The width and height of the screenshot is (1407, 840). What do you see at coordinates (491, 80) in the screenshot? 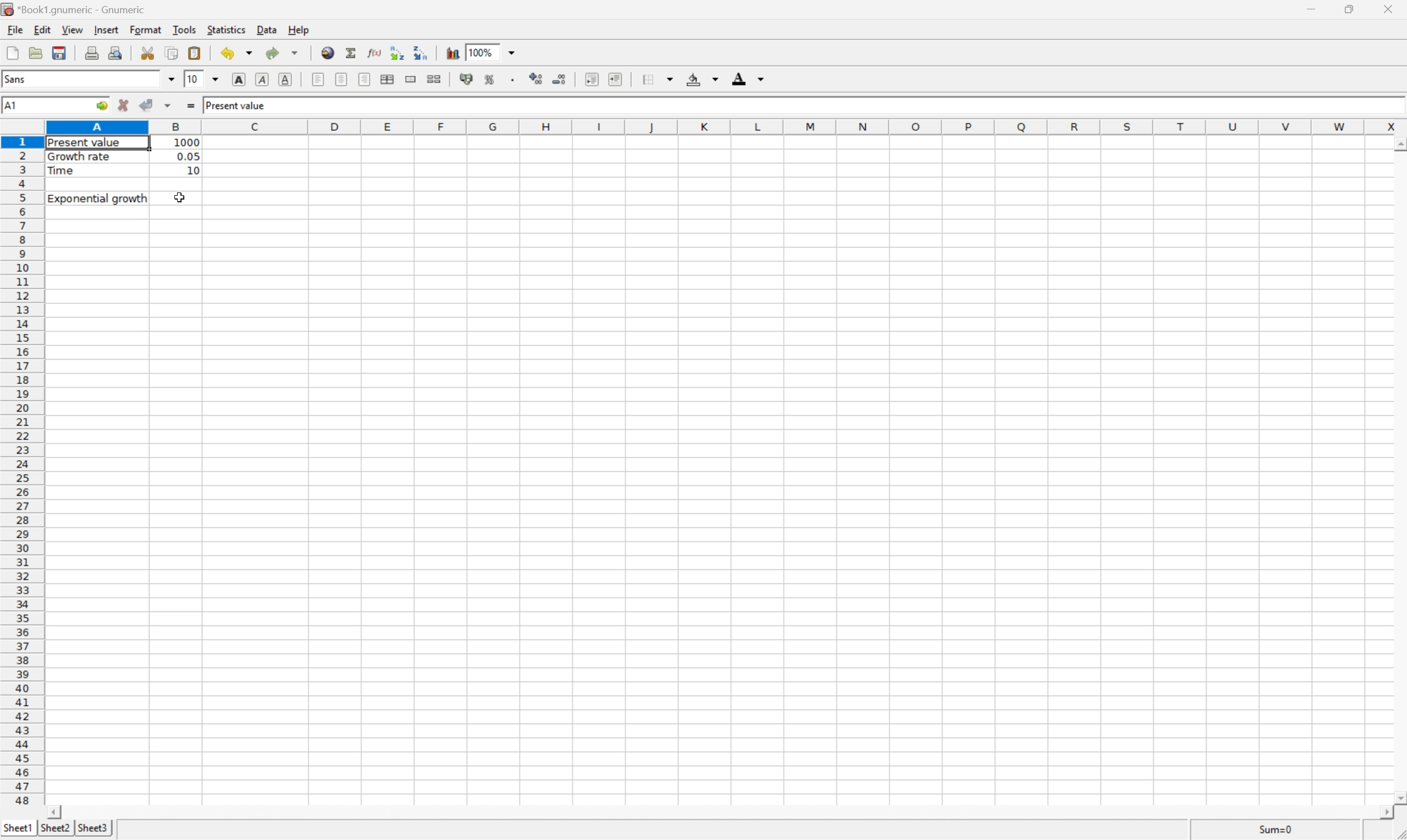
I see `Format the selection as percentage` at bounding box center [491, 80].